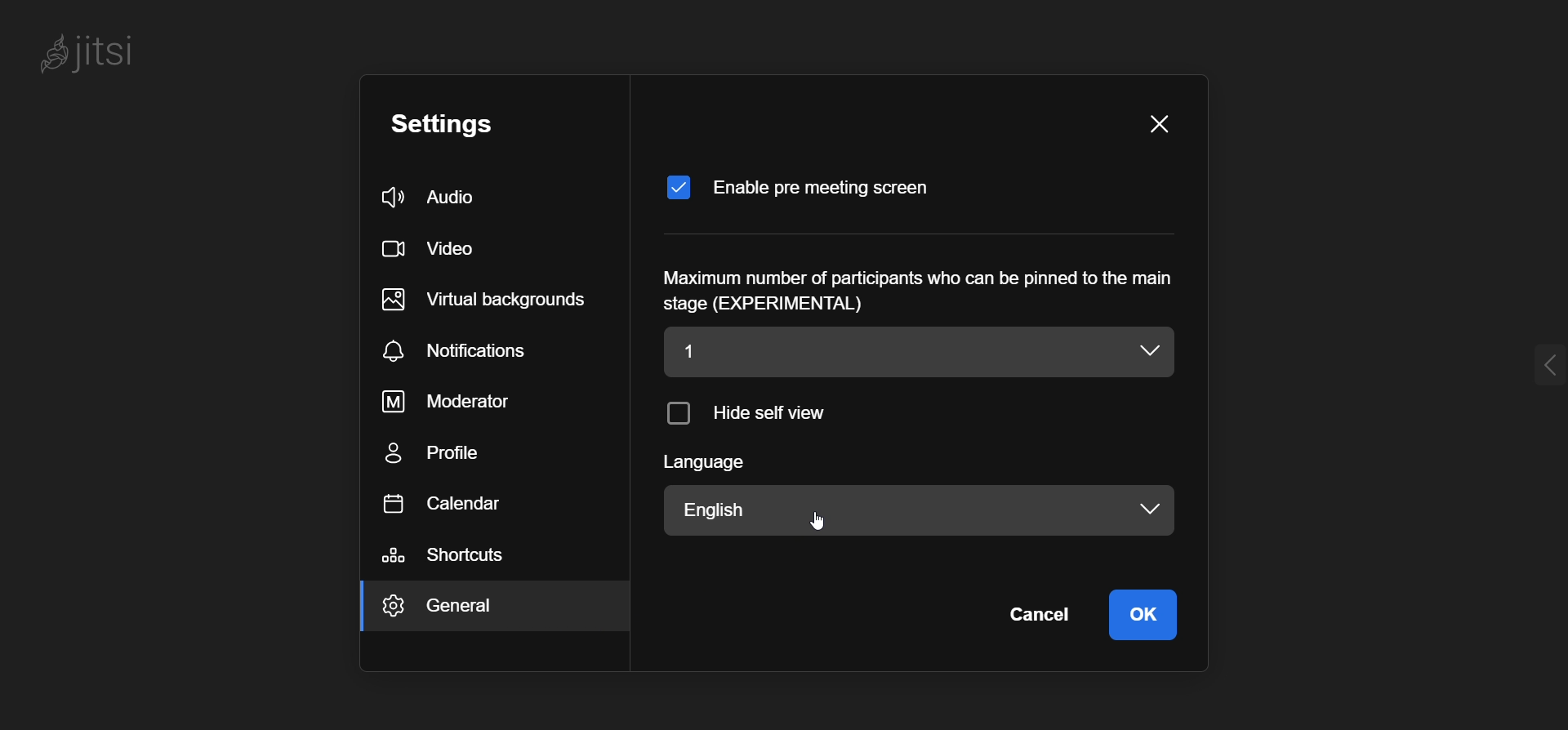 This screenshot has height=730, width=1568. What do you see at coordinates (444, 456) in the screenshot?
I see `profile` at bounding box center [444, 456].